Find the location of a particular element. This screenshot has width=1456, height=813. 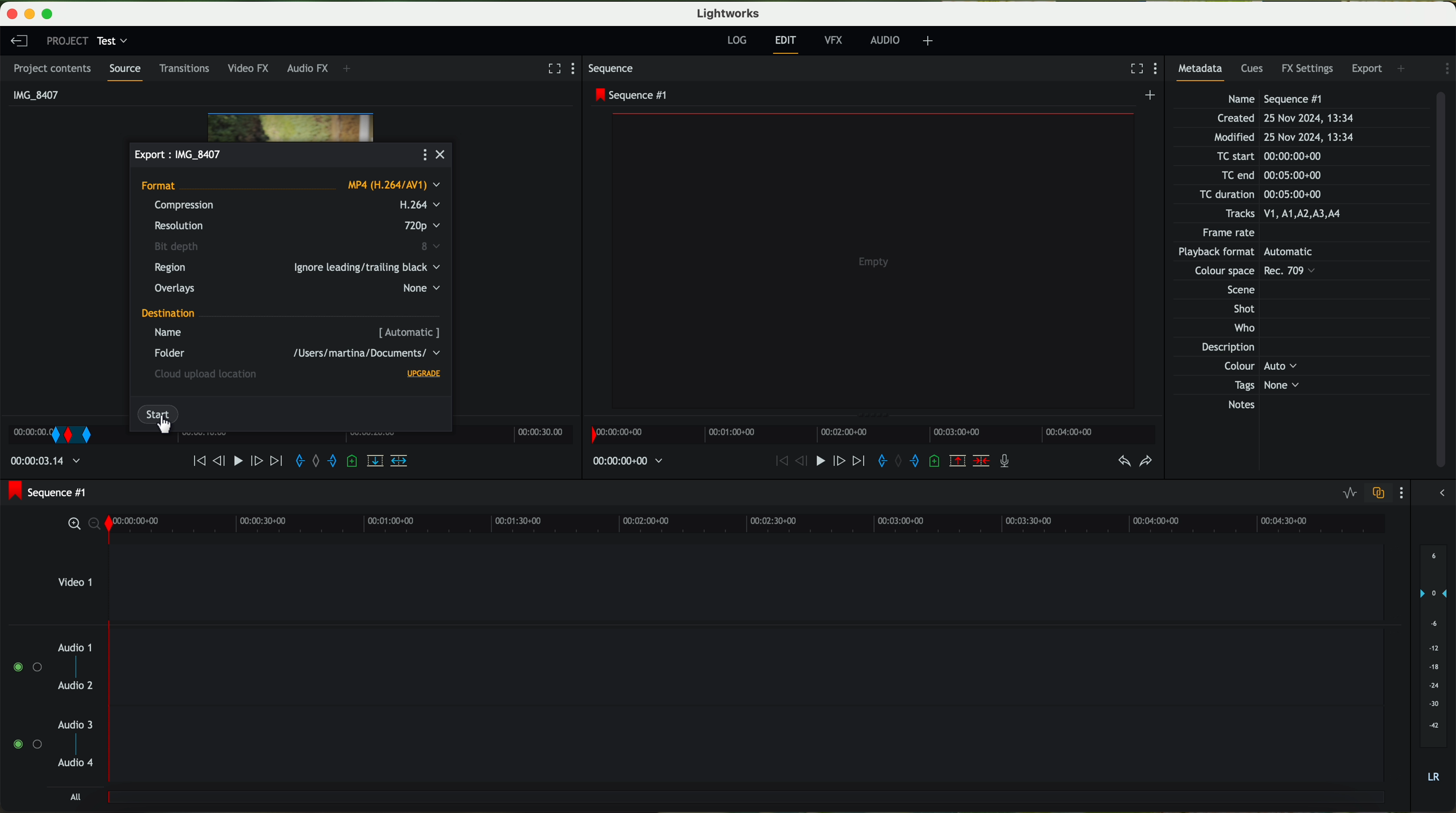

sequence is located at coordinates (615, 70).